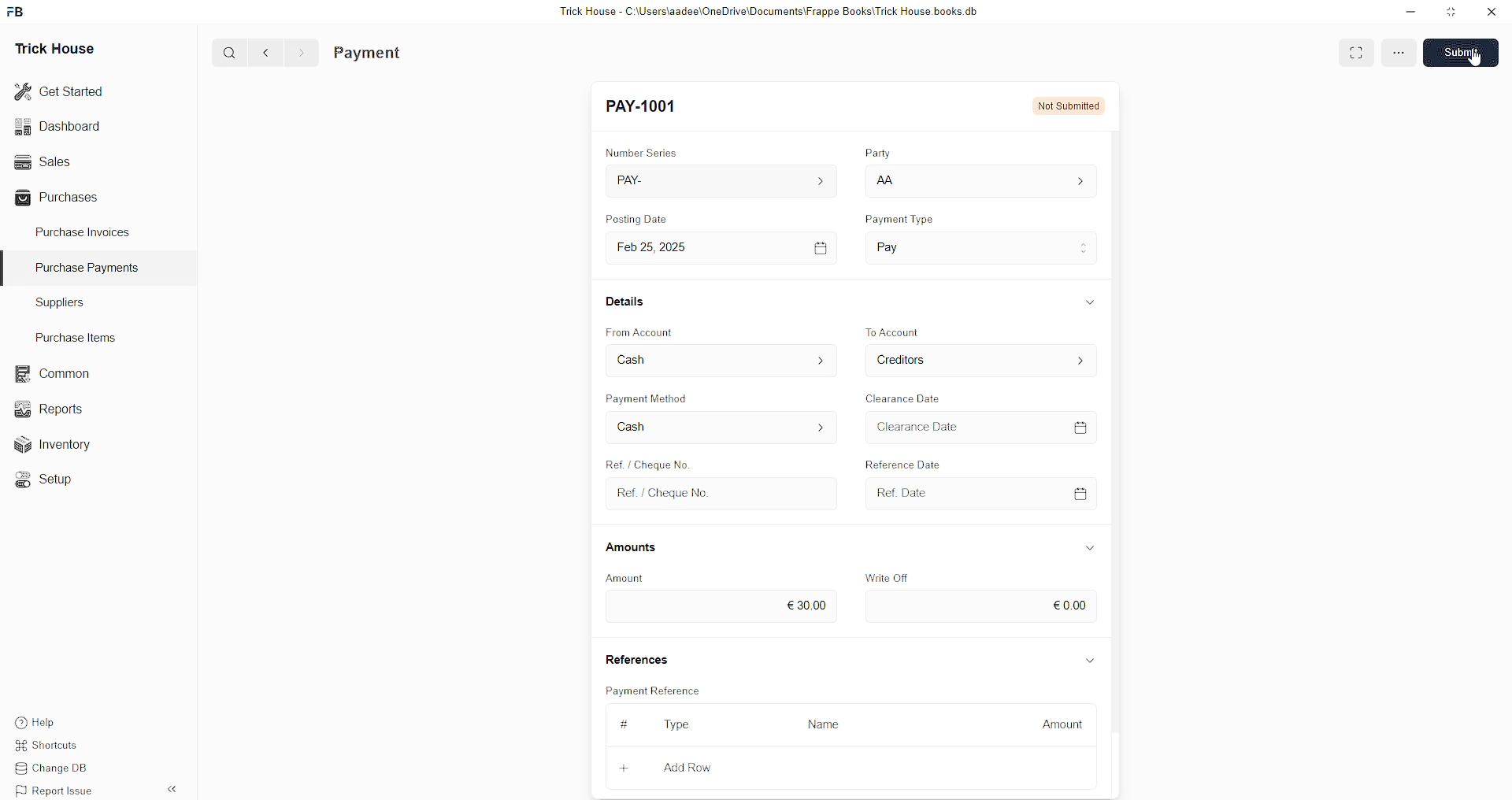  Describe the element at coordinates (1463, 51) in the screenshot. I see `Submit` at that location.